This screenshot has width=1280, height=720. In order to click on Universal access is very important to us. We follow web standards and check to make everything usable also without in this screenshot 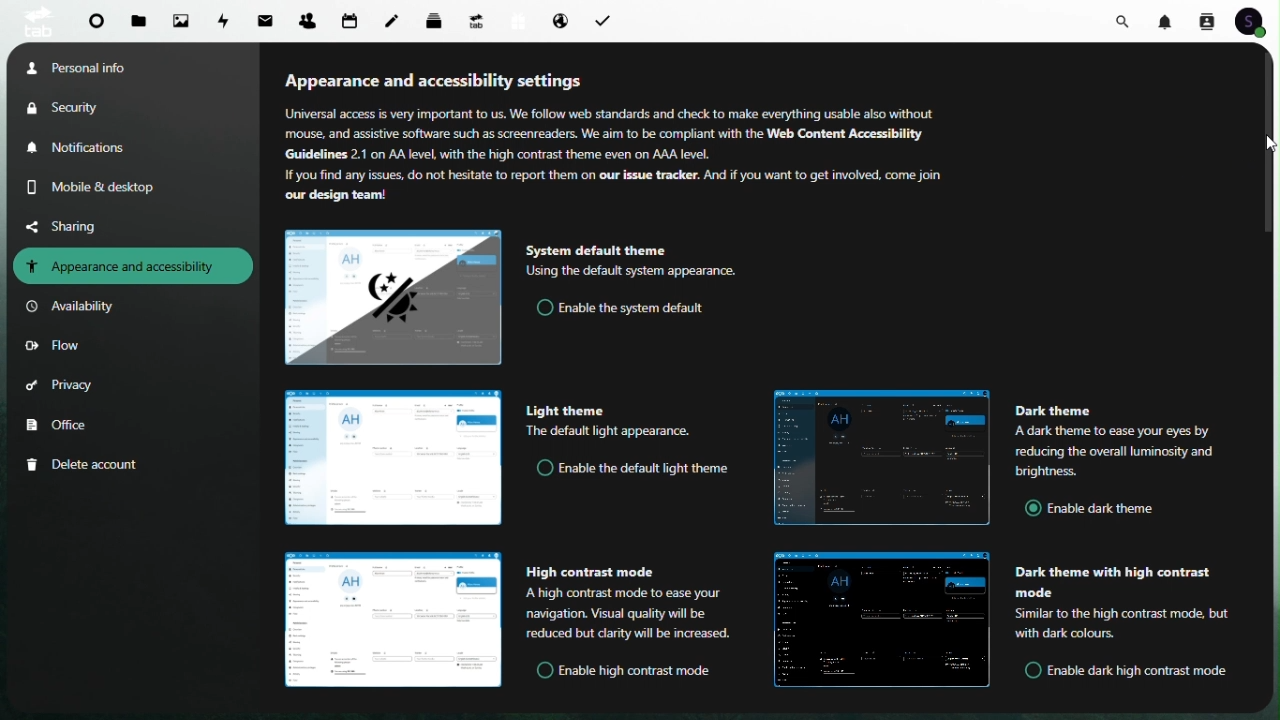, I will do `click(614, 114)`.